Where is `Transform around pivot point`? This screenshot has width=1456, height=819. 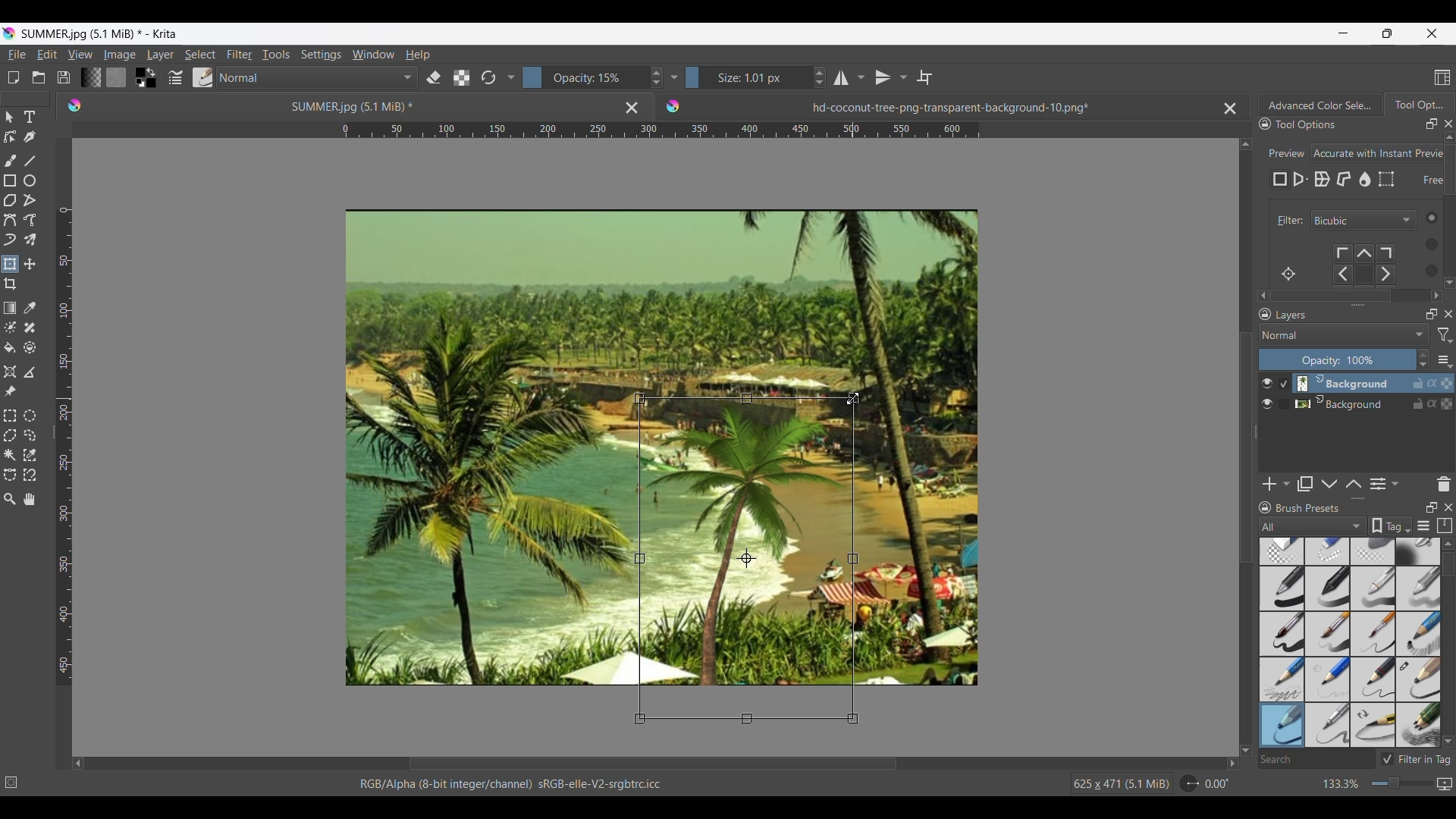
Transform around pivot point is located at coordinates (1288, 274).